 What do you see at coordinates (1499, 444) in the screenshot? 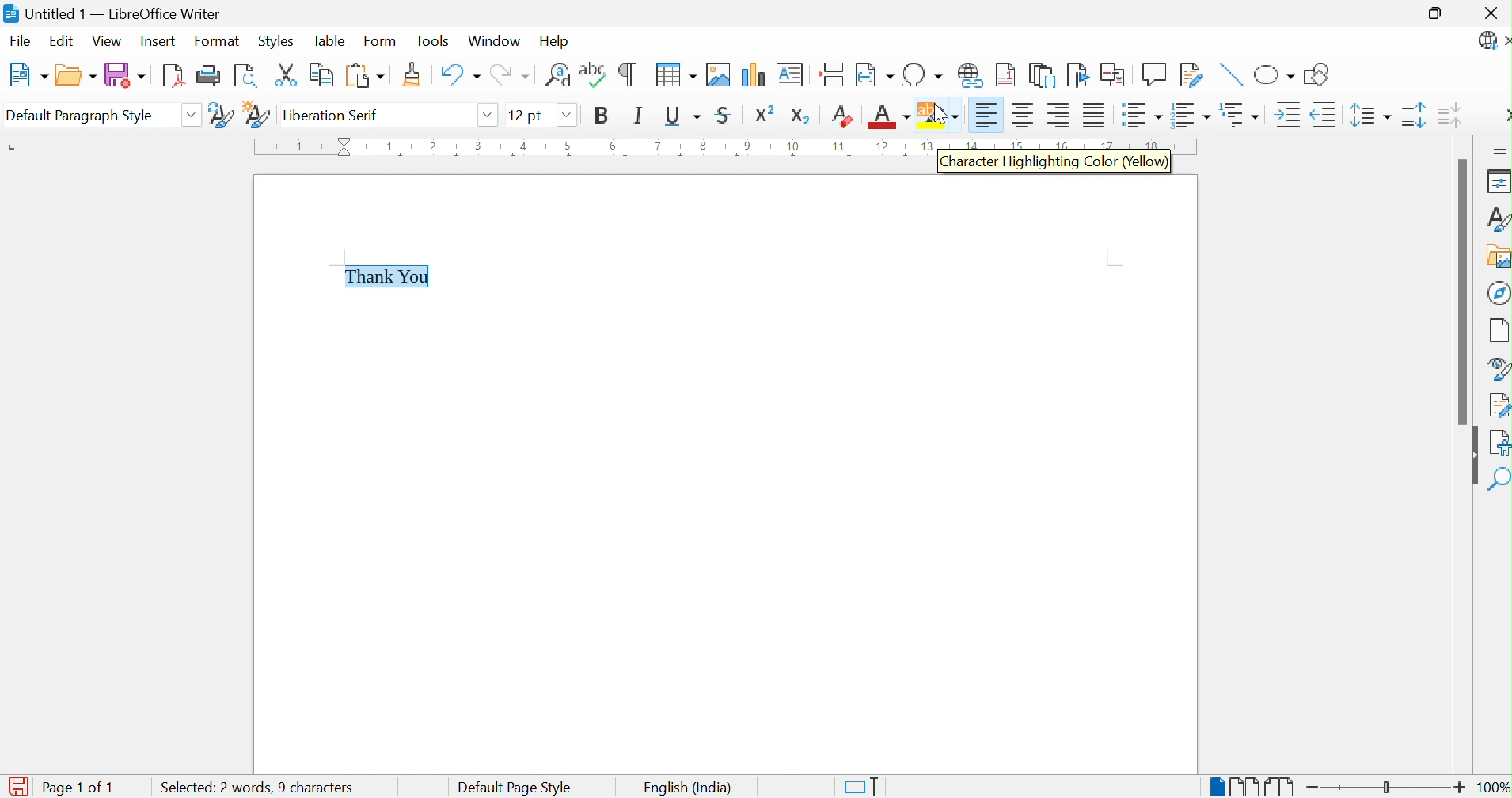
I see `Accessibility Check` at bounding box center [1499, 444].